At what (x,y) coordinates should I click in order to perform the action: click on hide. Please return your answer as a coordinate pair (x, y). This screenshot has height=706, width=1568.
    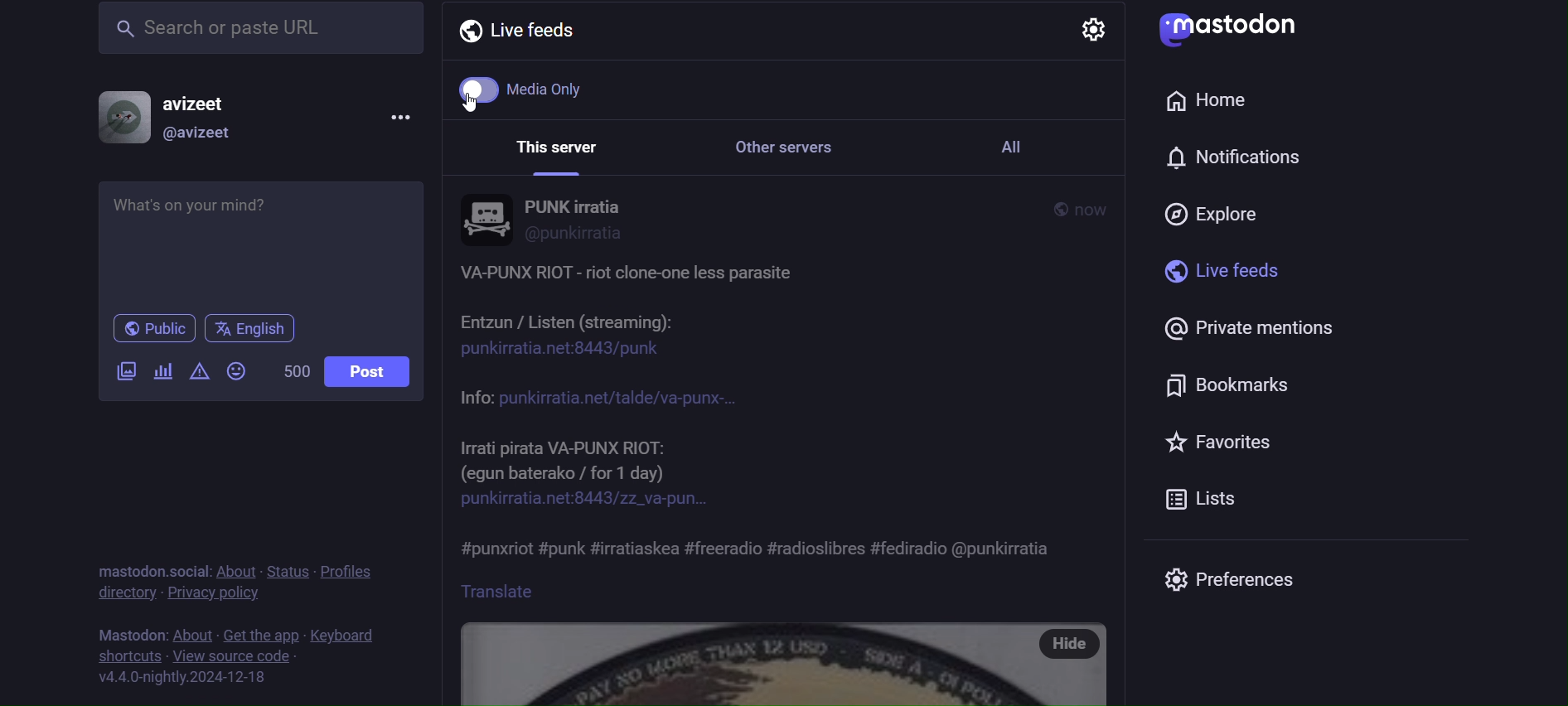
    Looking at the image, I should click on (1071, 646).